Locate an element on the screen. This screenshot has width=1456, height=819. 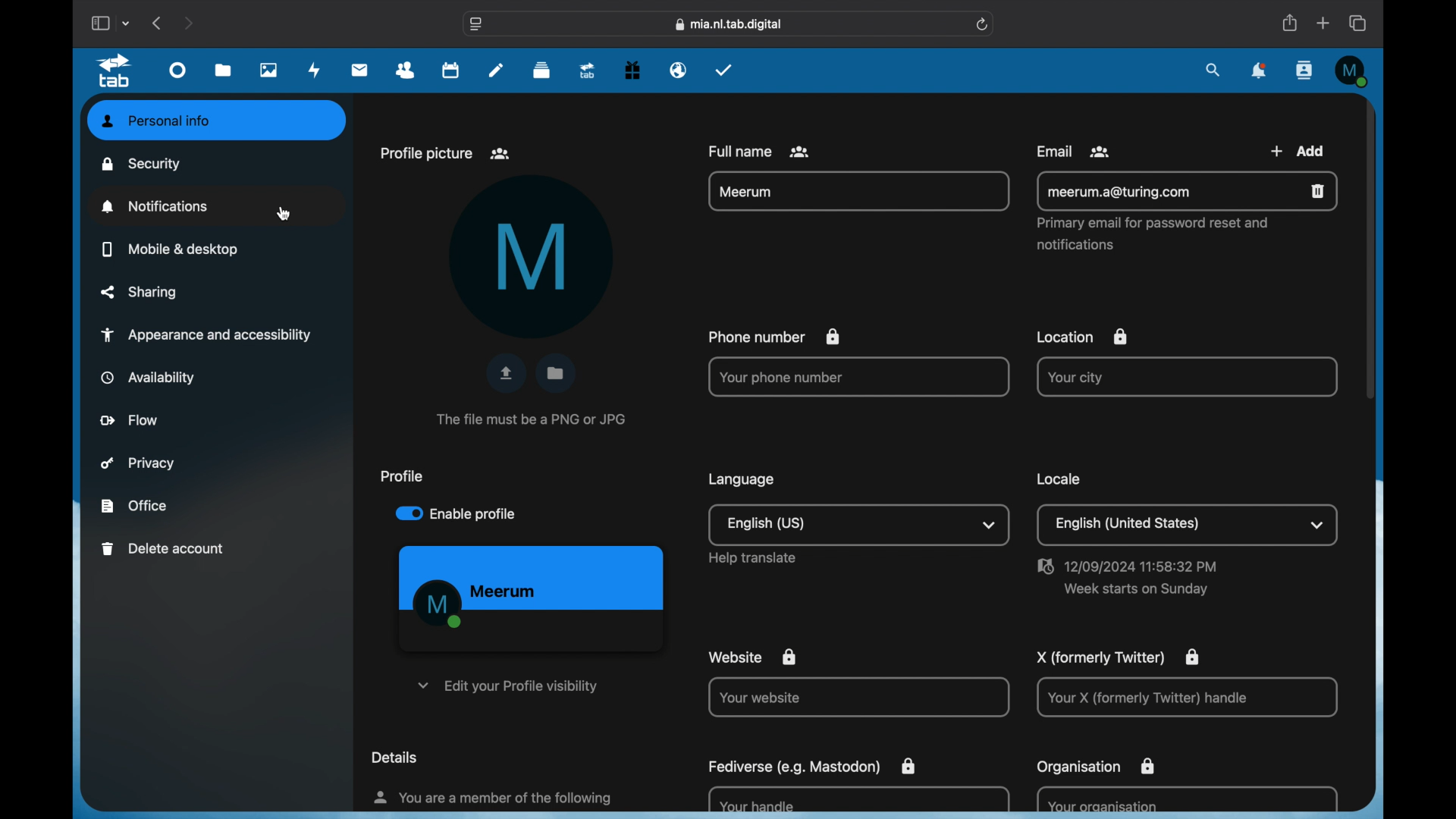
your handle is located at coordinates (757, 806).